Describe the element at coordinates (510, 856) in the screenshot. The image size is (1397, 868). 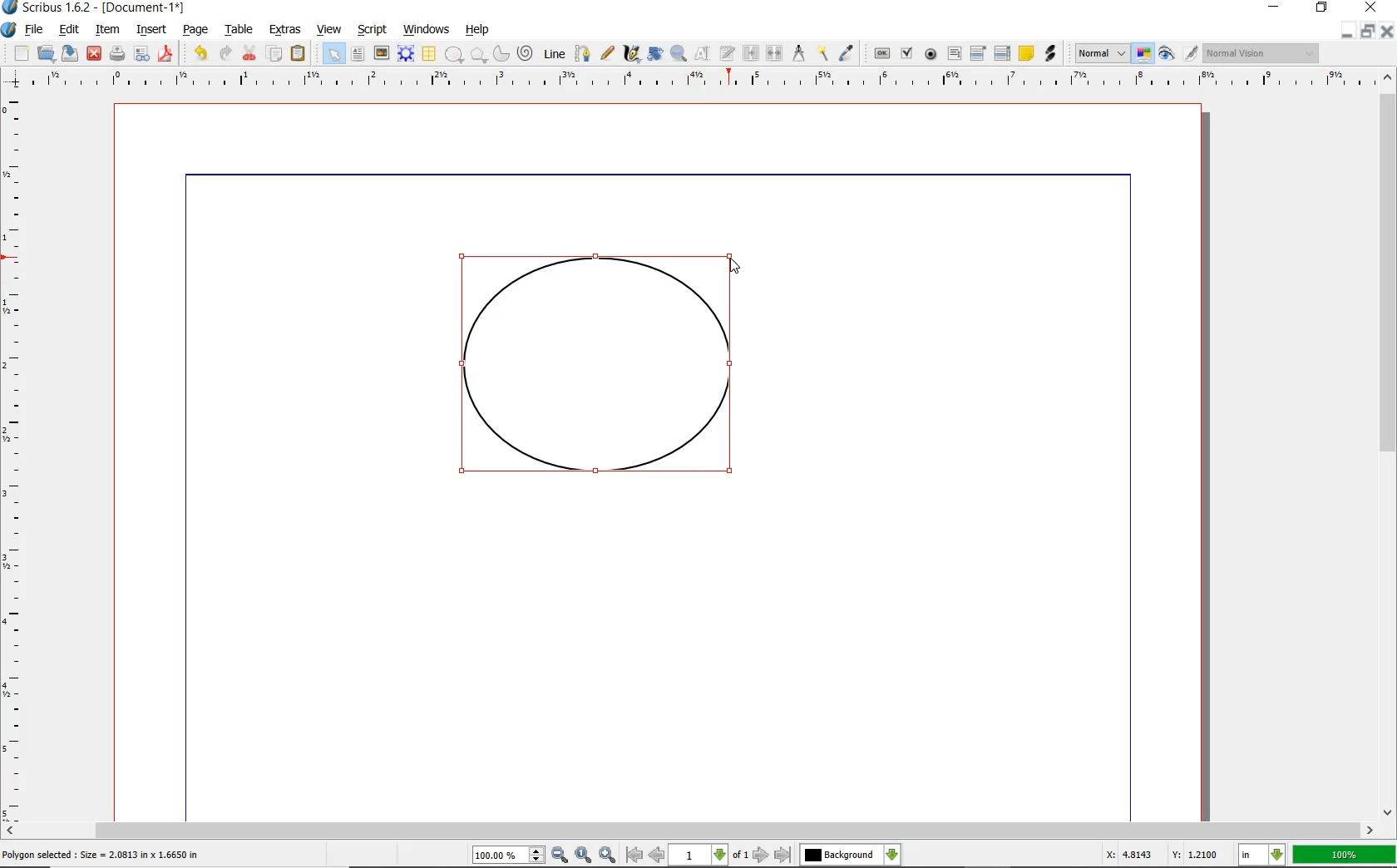
I see `zoom ` at that location.